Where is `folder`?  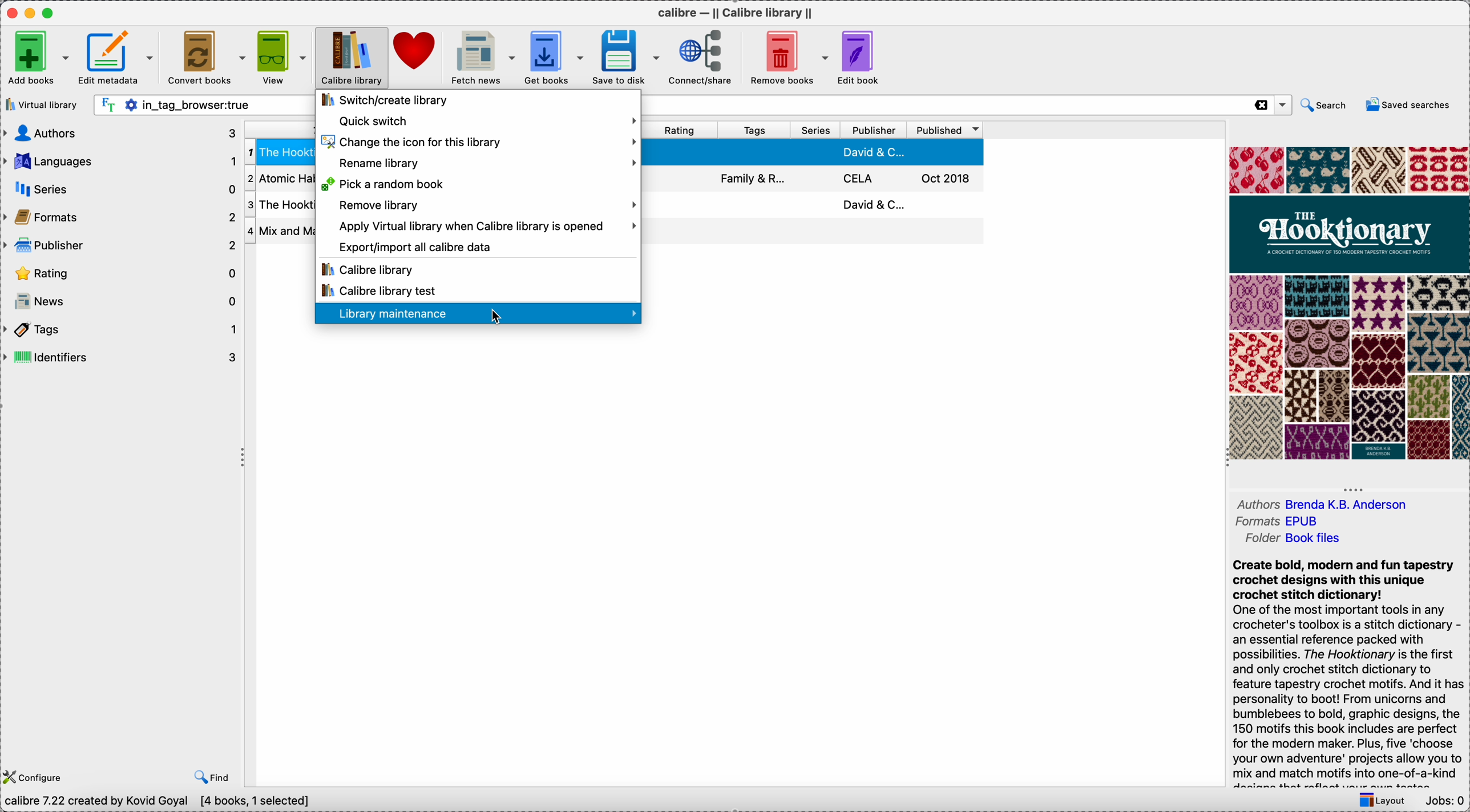
folder is located at coordinates (1291, 539).